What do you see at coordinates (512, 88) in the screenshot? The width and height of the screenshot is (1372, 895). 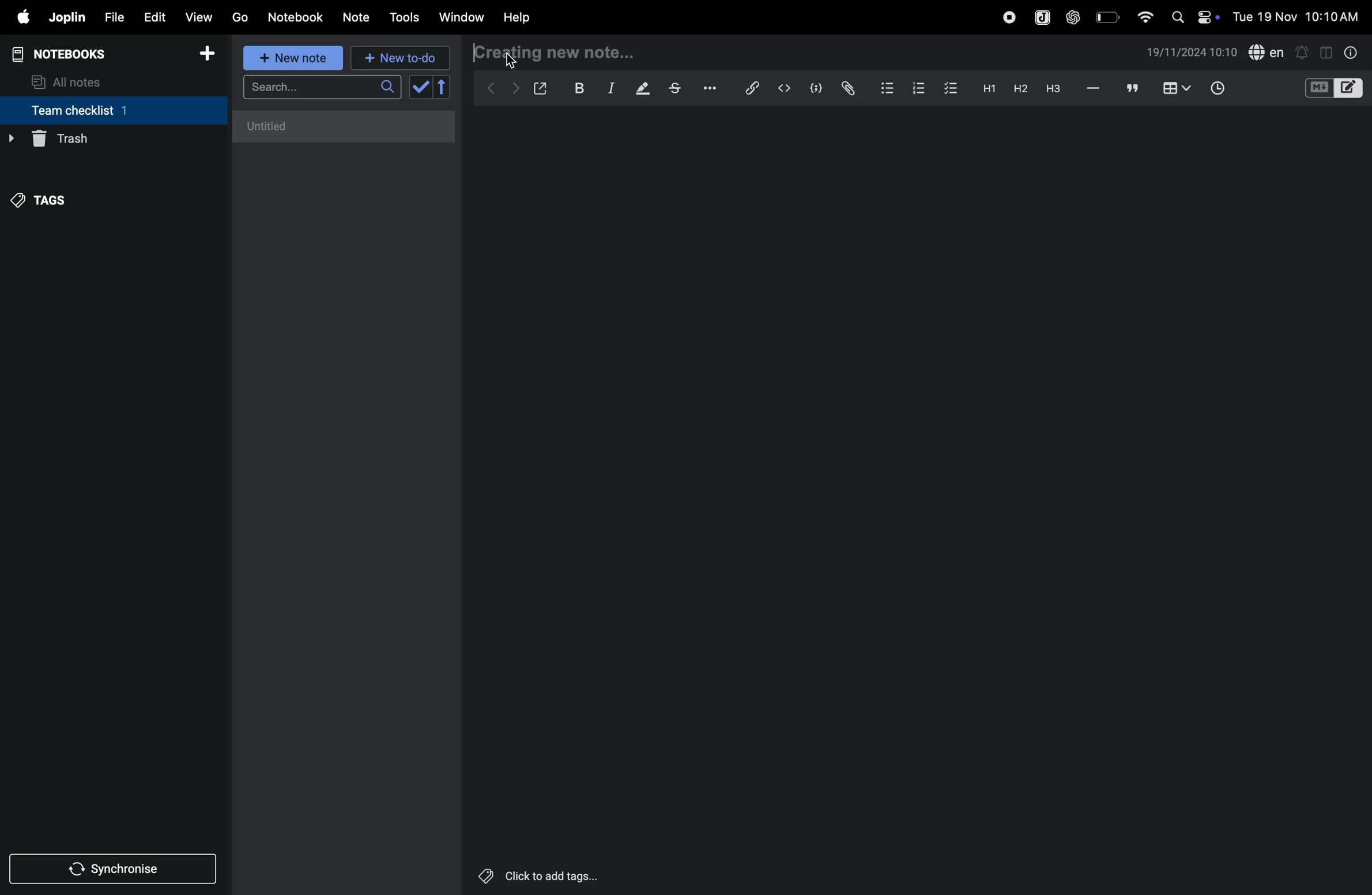 I see `forward` at bounding box center [512, 88].